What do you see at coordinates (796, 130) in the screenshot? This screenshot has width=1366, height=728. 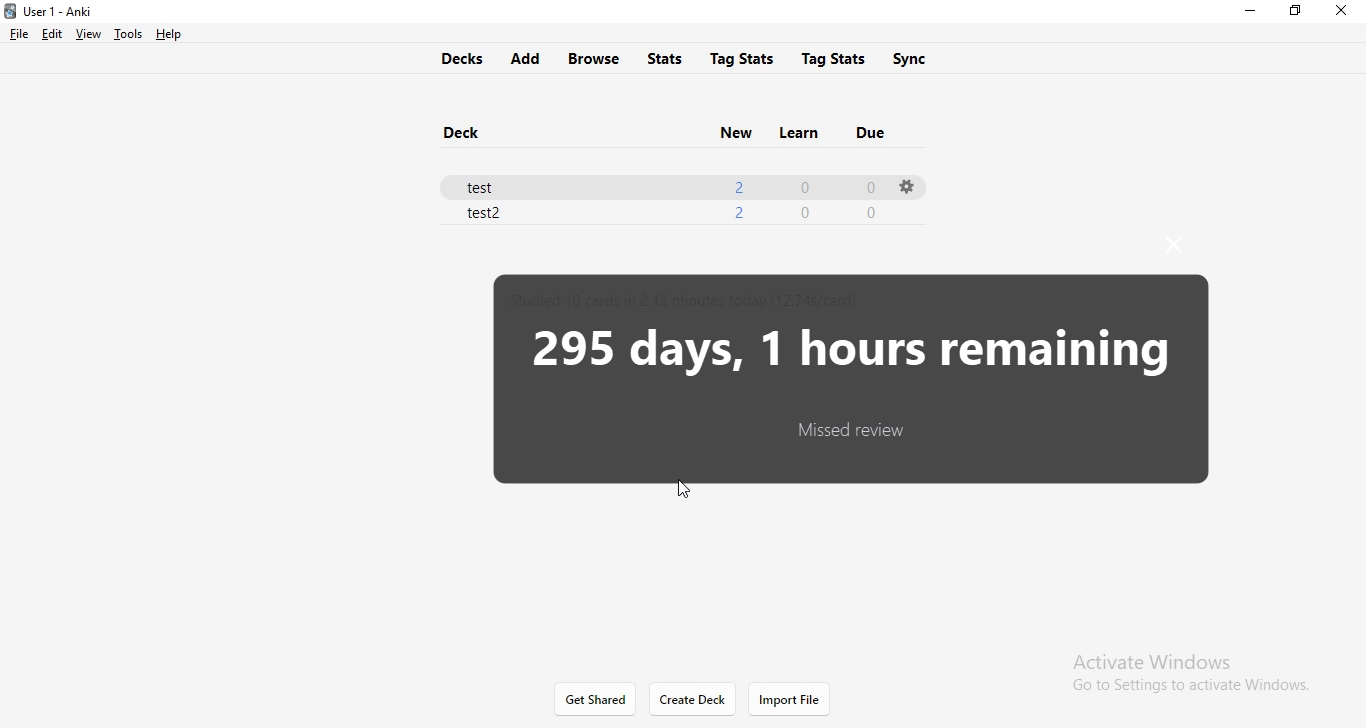 I see `learn` at bounding box center [796, 130].